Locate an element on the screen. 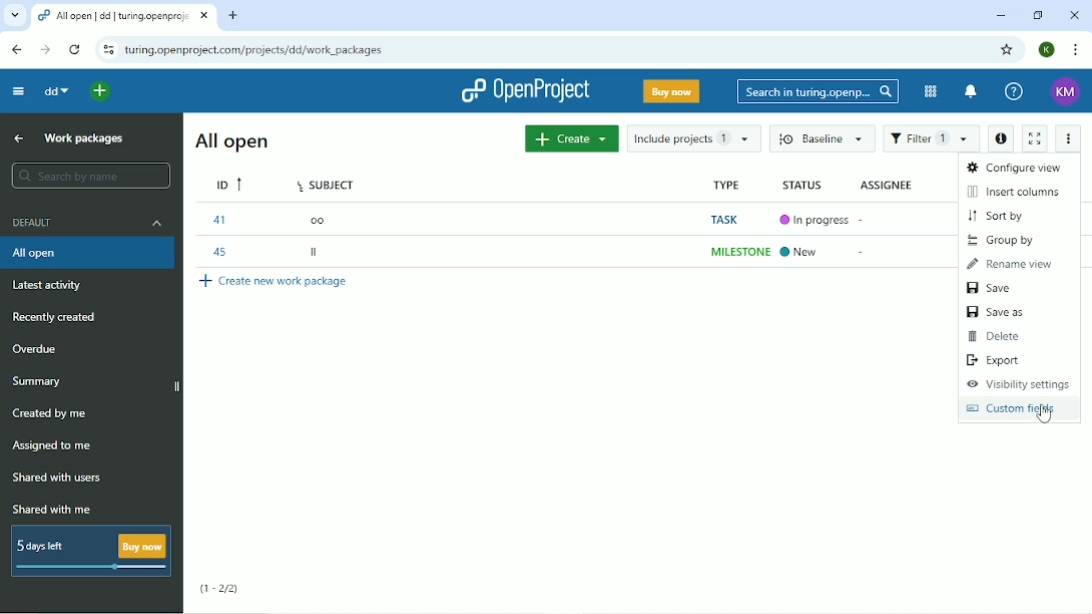  More actions is located at coordinates (1067, 137).